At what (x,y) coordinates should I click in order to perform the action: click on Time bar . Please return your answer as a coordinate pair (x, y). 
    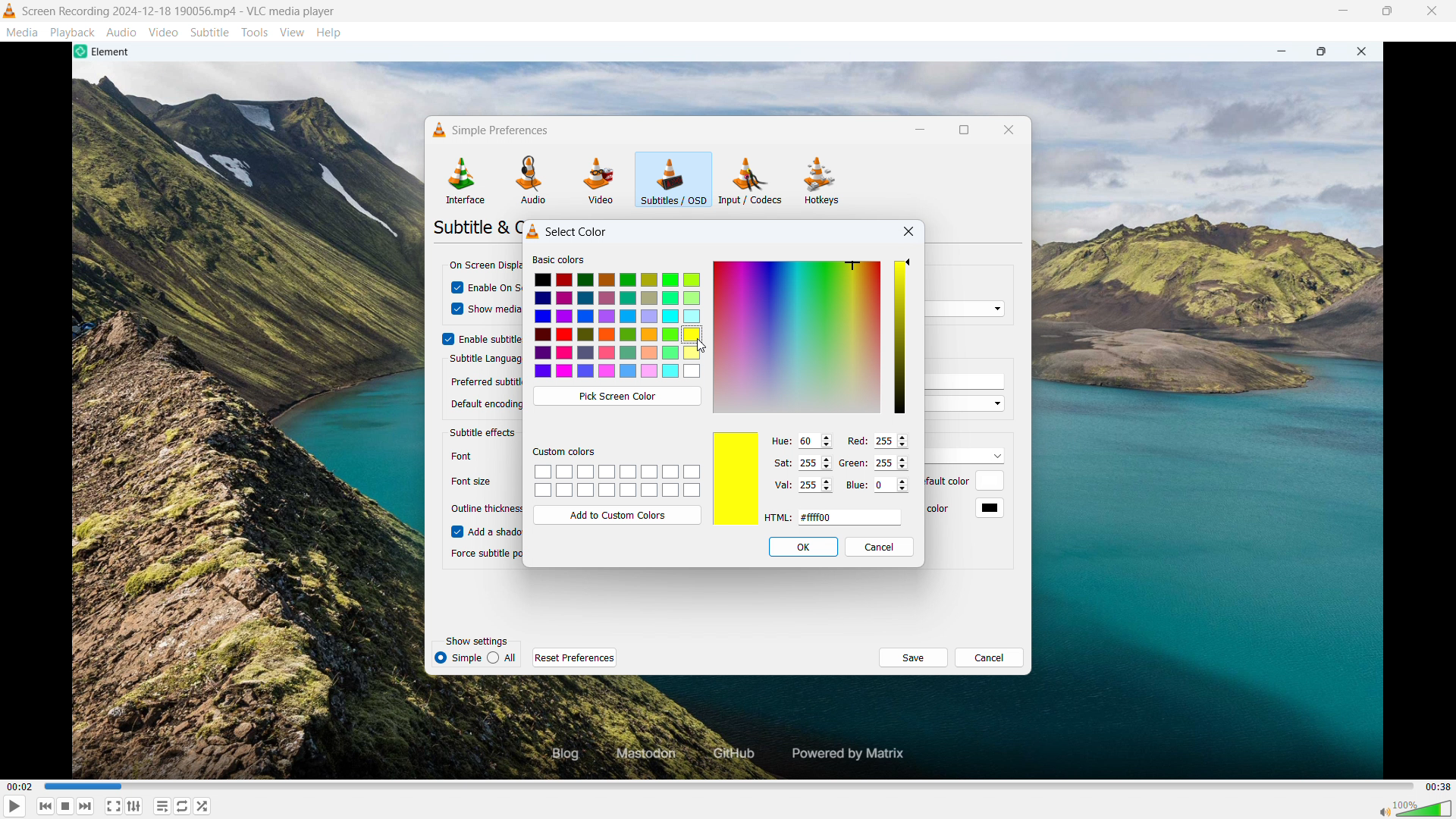
    Looking at the image, I should click on (732, 786).